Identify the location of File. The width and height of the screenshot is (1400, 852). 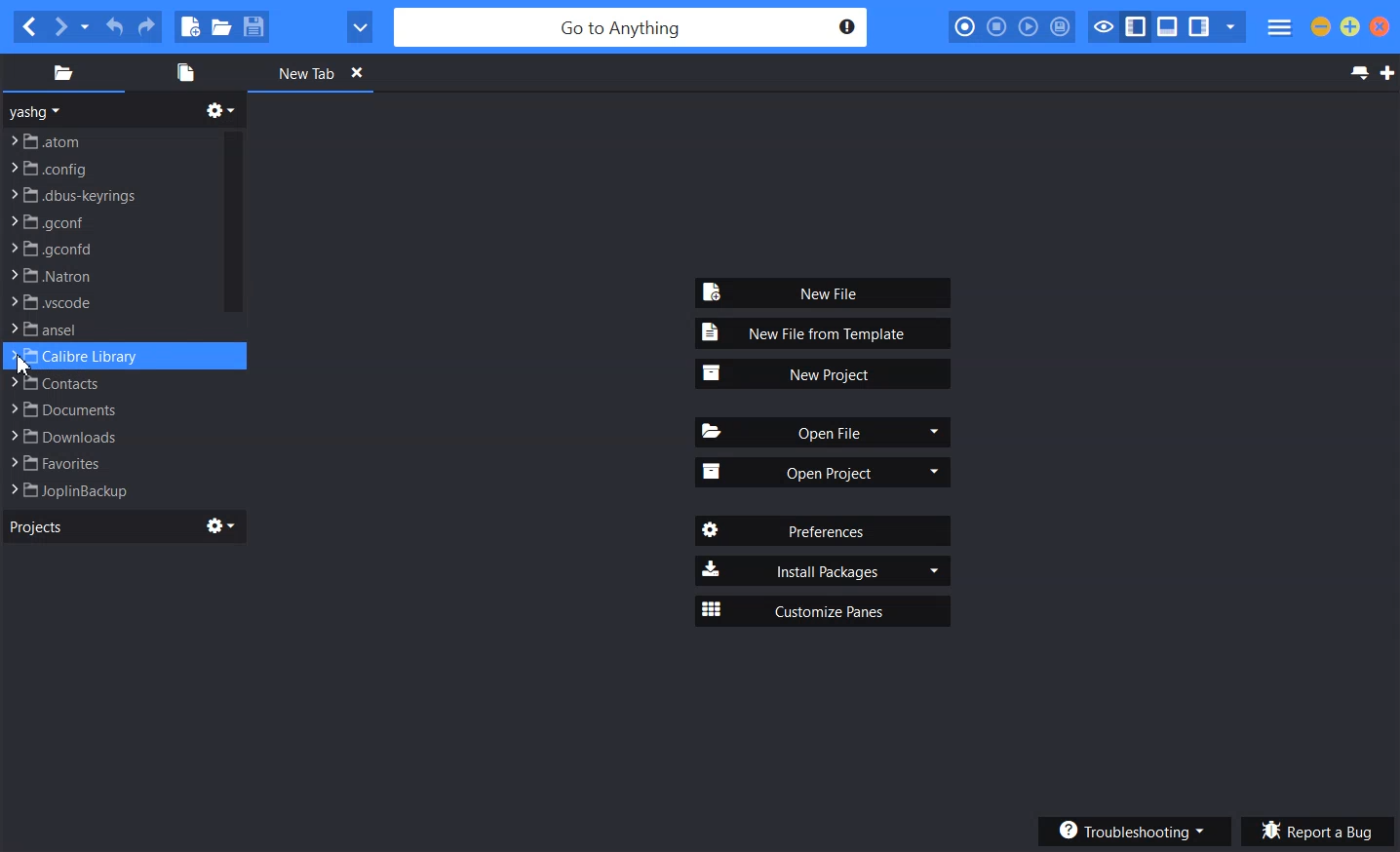
(105, 463).